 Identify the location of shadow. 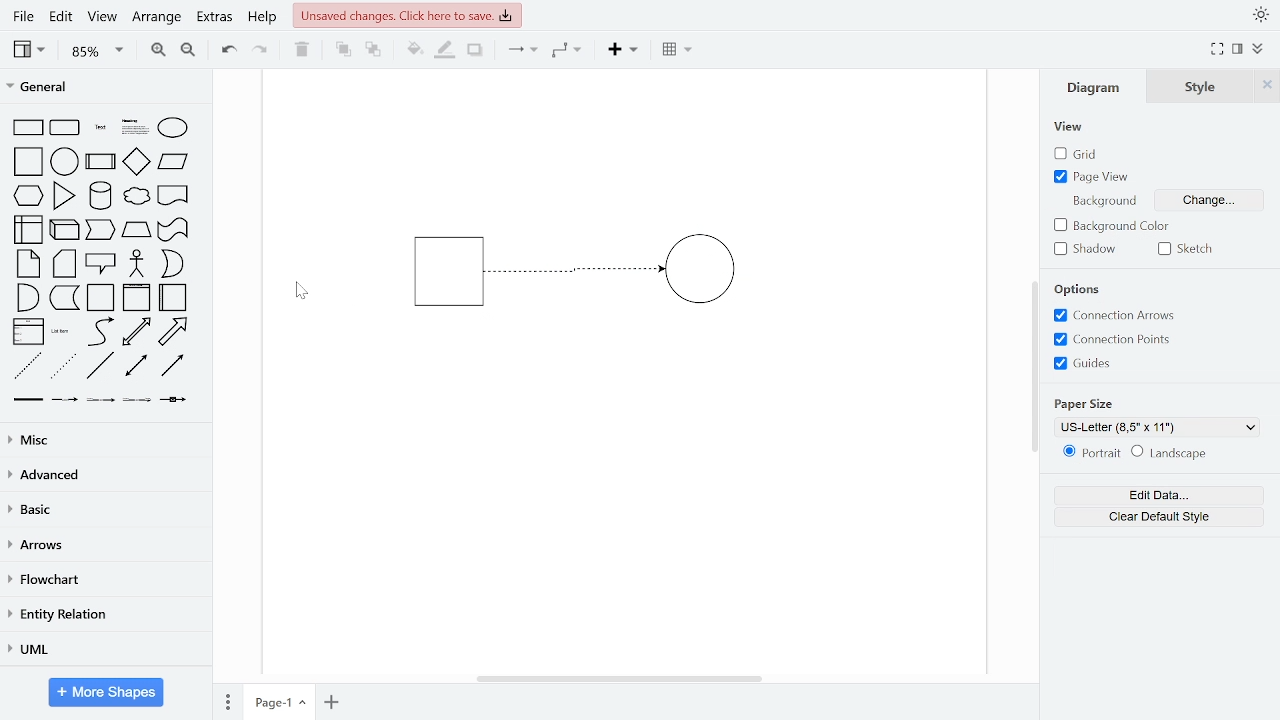
(1084, 251).